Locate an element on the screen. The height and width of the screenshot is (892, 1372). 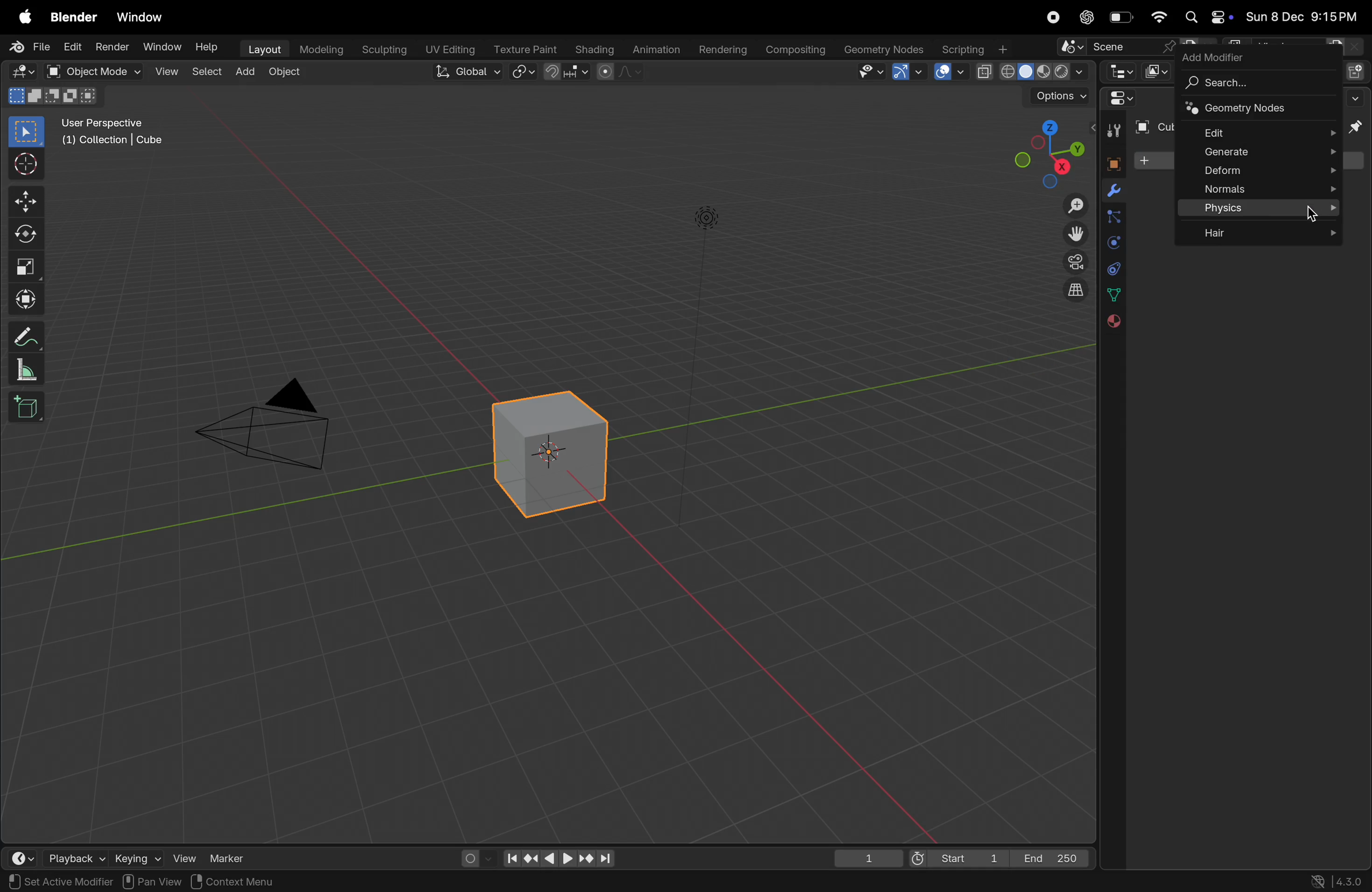
physics is located at coordinates (1260, 209).